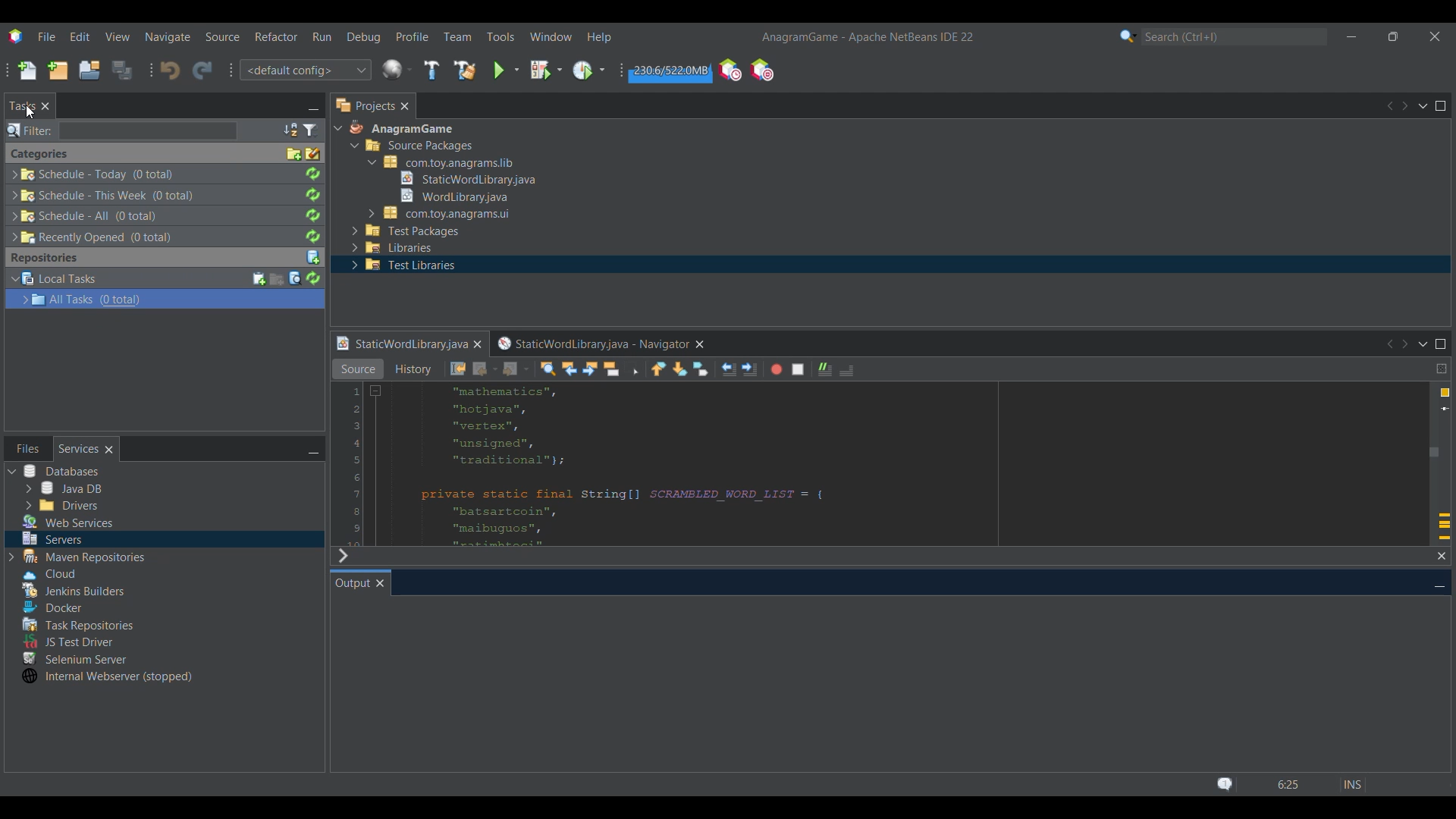 Image resolution: width=1456 pixels, height=819 pixels. What do you see at coordinates (846, 370) in the screenshot?
I see `Uncomment` at bounding box center [846, 370].